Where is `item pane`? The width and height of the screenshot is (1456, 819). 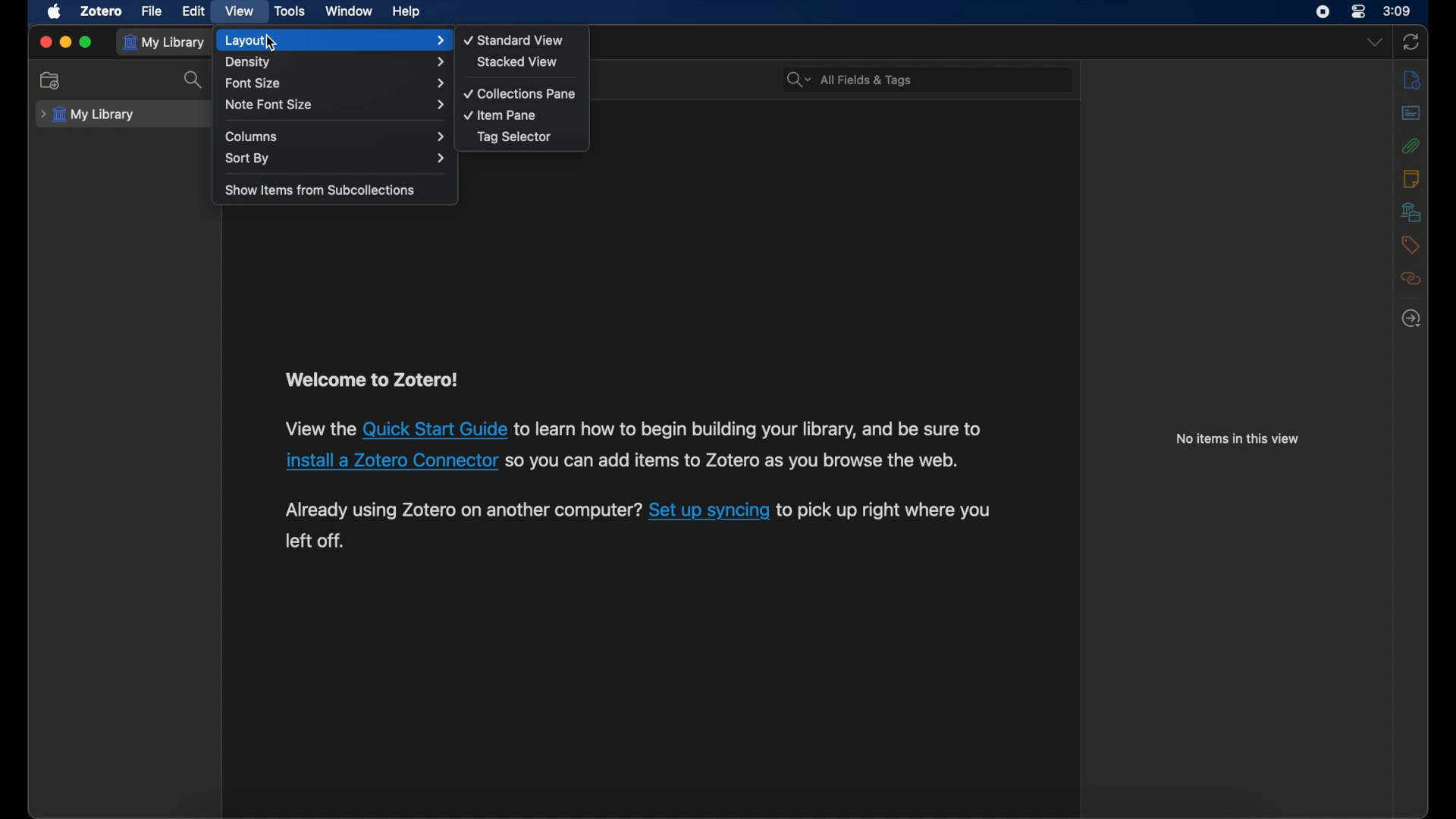
item pane is located at coordinates (501, 115).